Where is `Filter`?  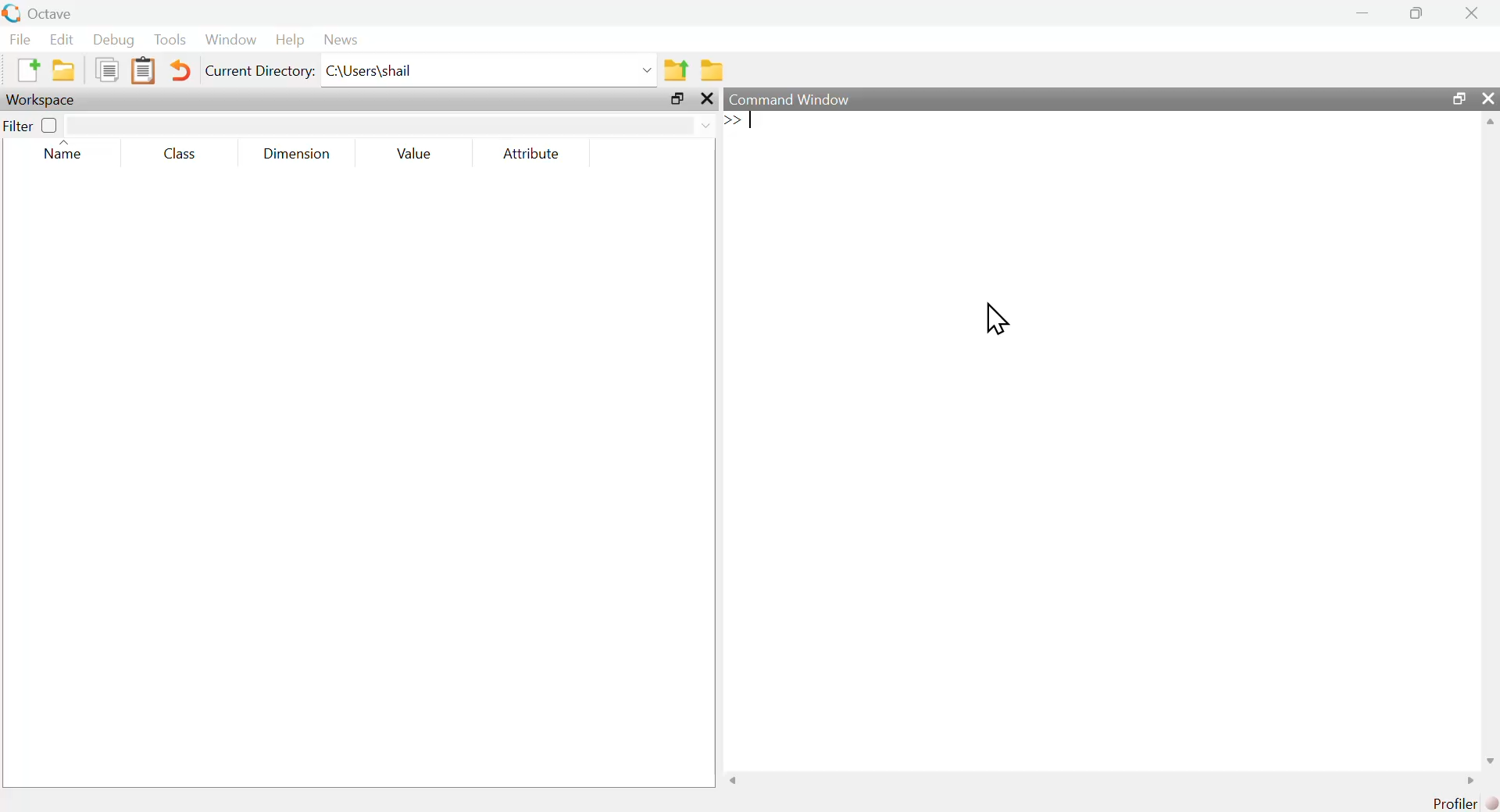
Filter is located at coordinates (31, 124).